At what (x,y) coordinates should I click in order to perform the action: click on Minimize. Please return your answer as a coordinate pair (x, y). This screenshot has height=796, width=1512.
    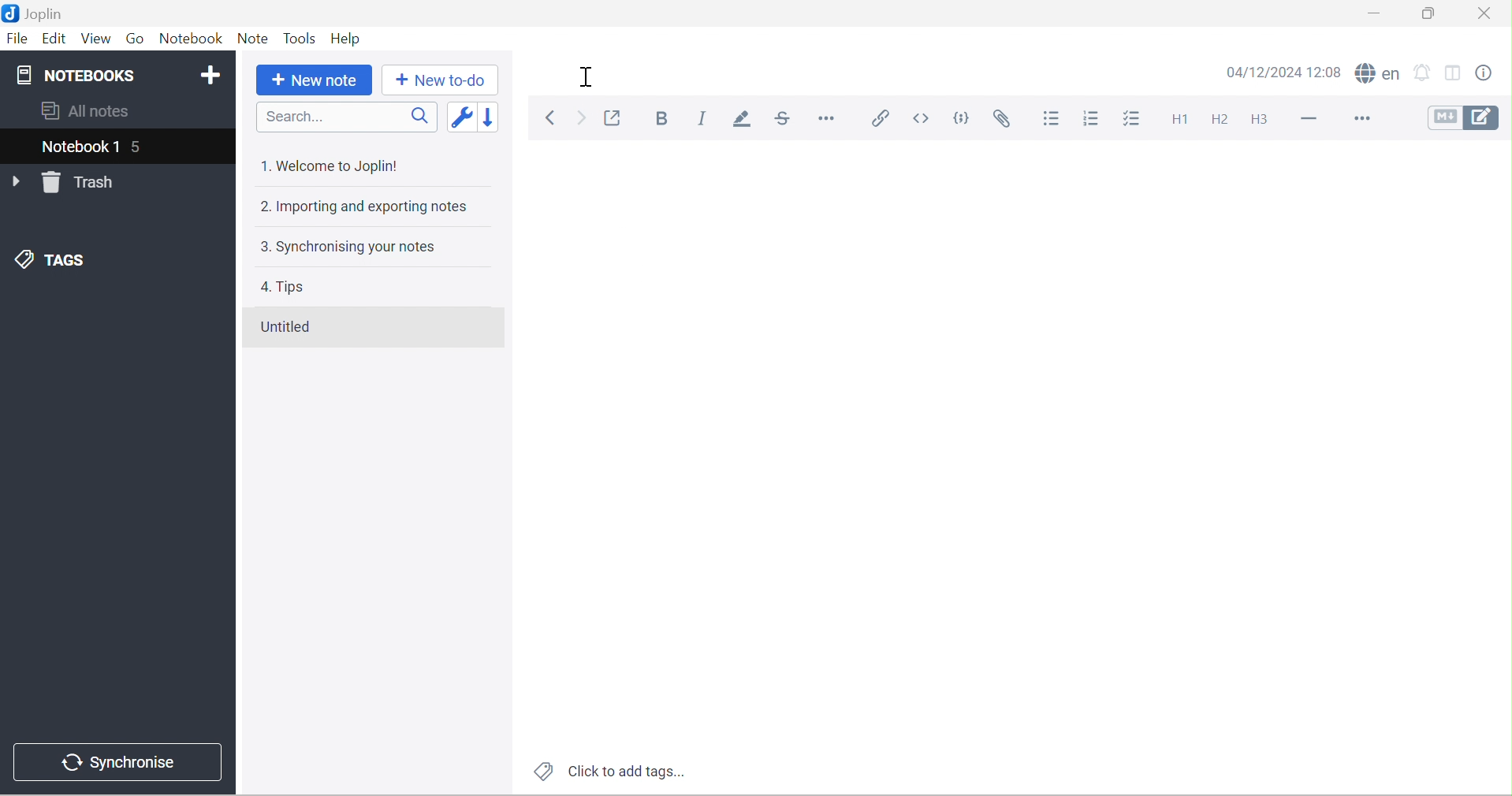
    Looking at the image, I should click on (1376, 13).